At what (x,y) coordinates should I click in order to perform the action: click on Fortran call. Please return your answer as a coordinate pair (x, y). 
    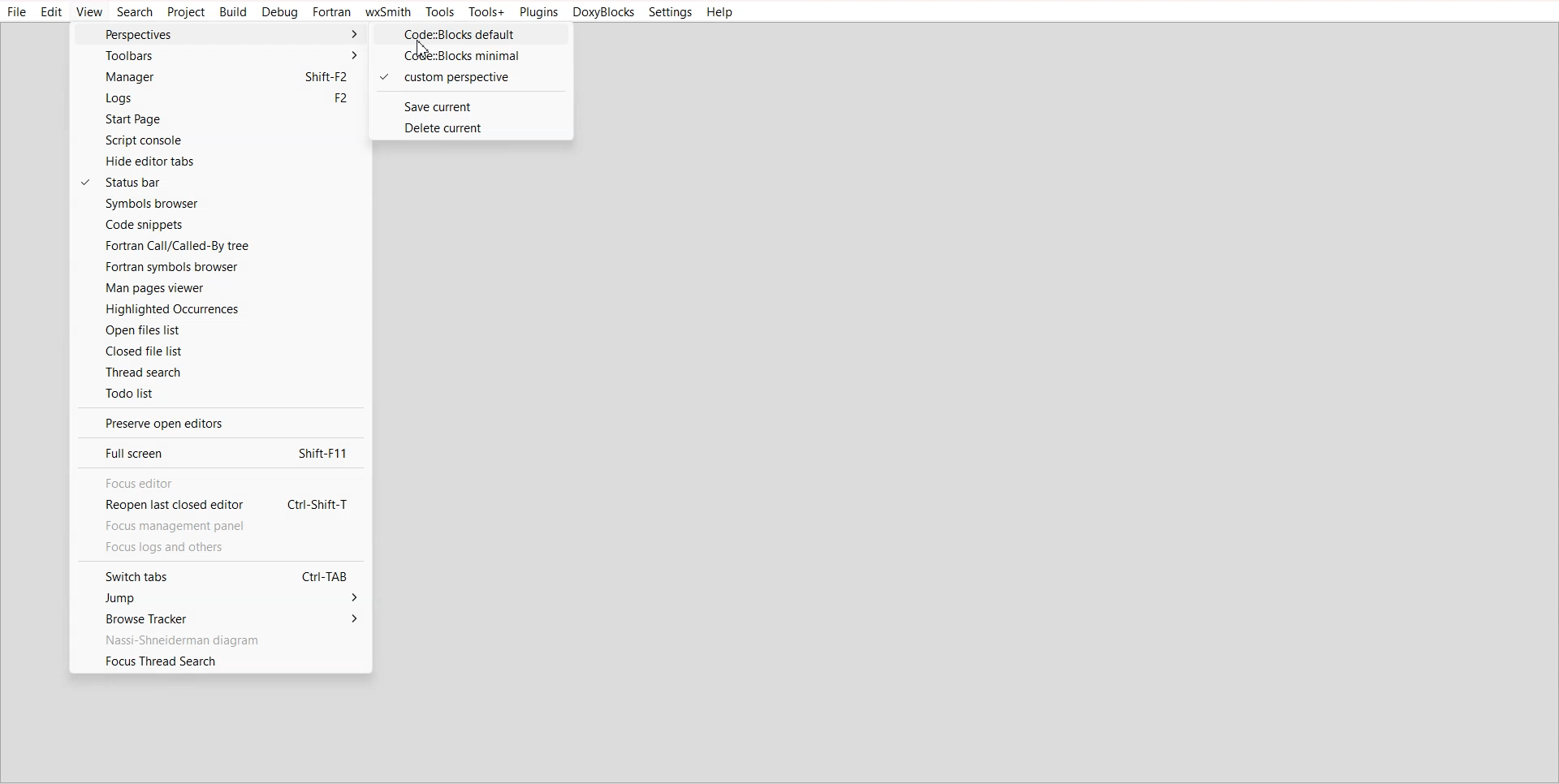
    Looking at the image, I should click on (219, 245).